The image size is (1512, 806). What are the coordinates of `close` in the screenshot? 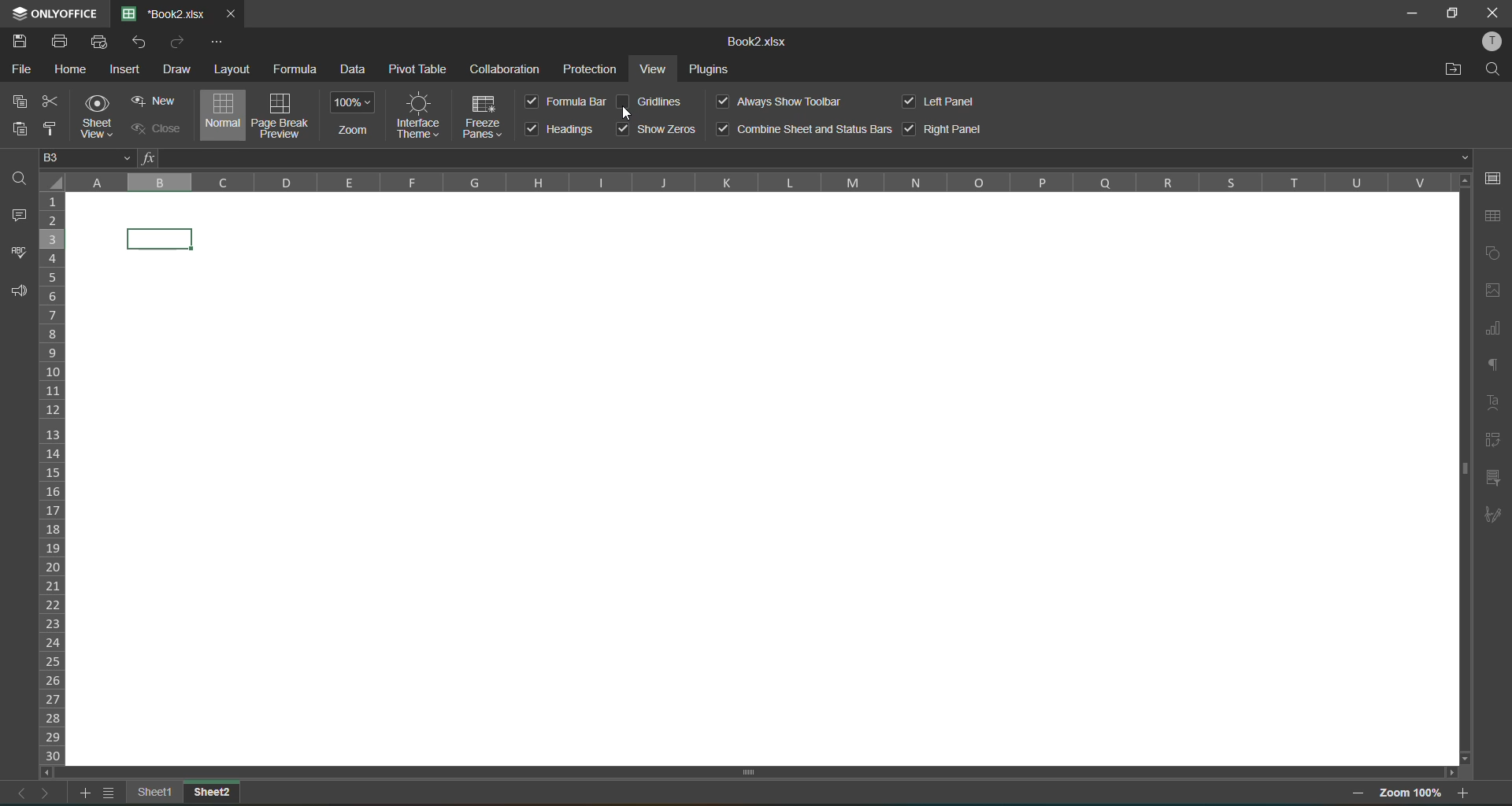 It's located at (153, 130).